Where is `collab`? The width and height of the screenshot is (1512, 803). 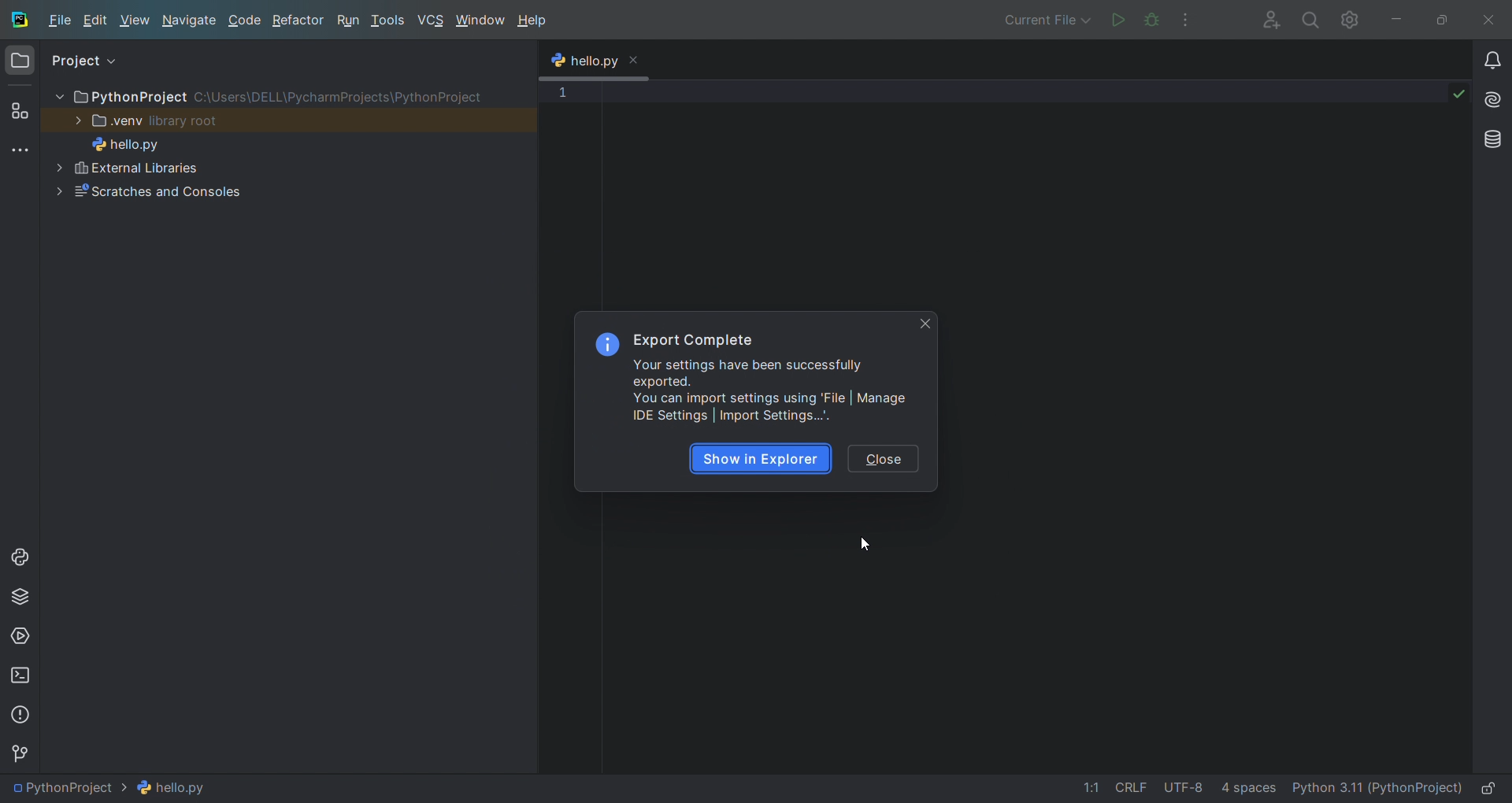 collab is located at coordinates (1265, 19).